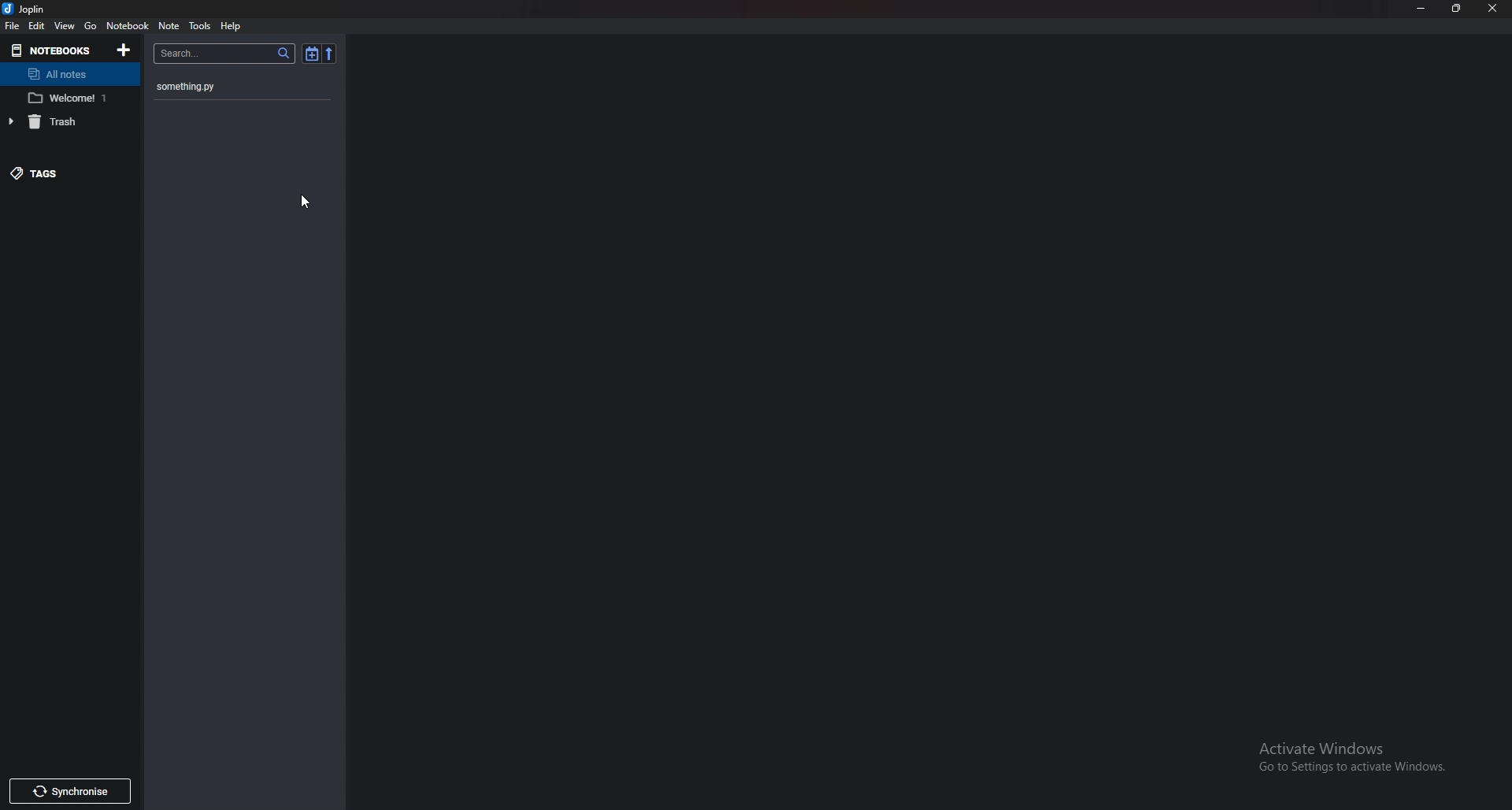 The width and height of the screenshot is (1512, 810). Describe the element at coordinates (66, 98) in the screenshot. I see `welcome 1` at that location.